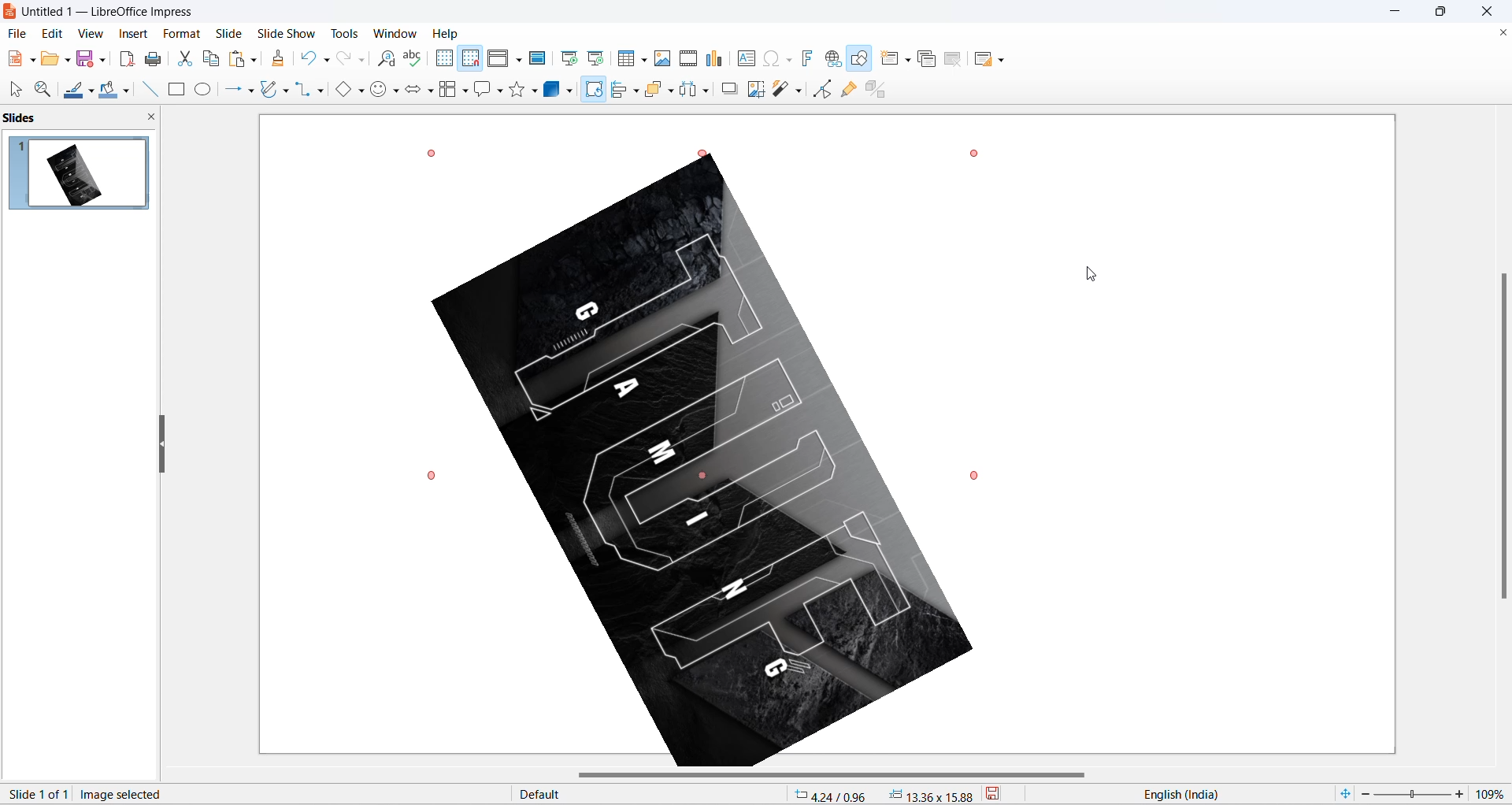 This screenshot has width=1512, height=805. What do you see at coordinates (434, 476) in the screenshot?
I see `image selection markup` at bounding box center [434, 476].